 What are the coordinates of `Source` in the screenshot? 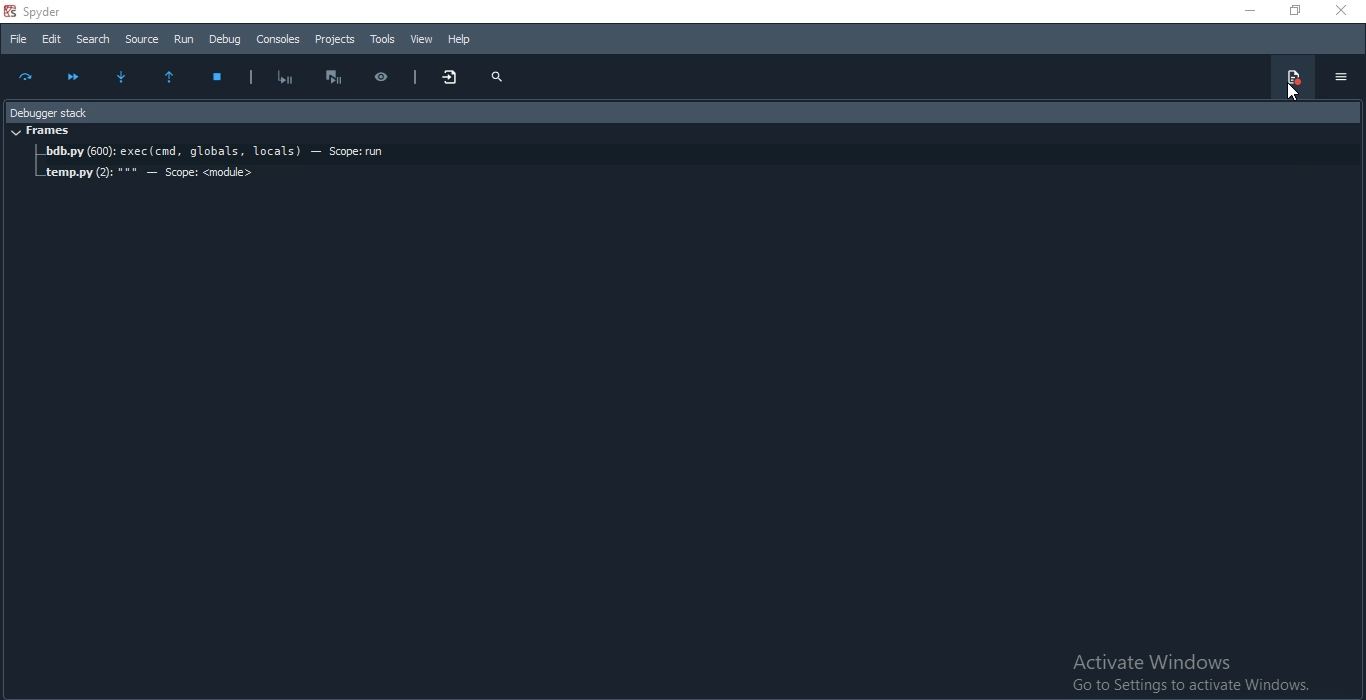 It's located at (142, 38).